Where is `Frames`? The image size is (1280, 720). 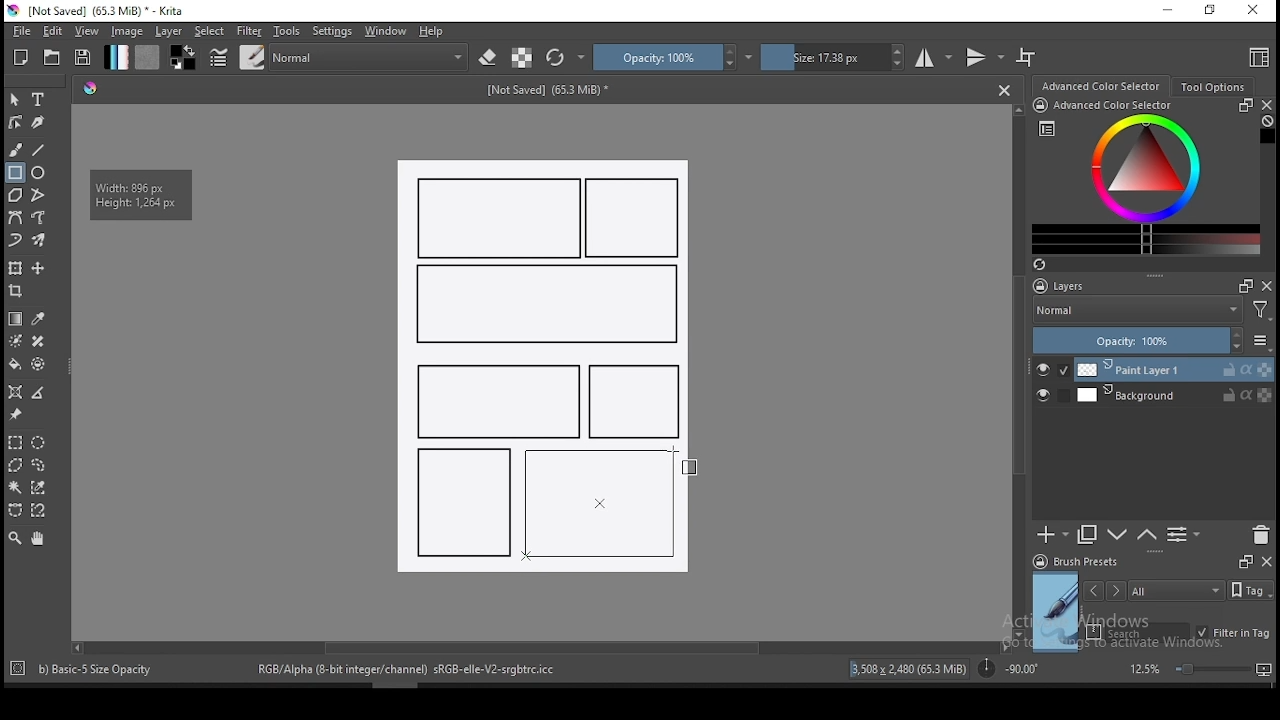
Frames is located at coordinates (1240, 285).